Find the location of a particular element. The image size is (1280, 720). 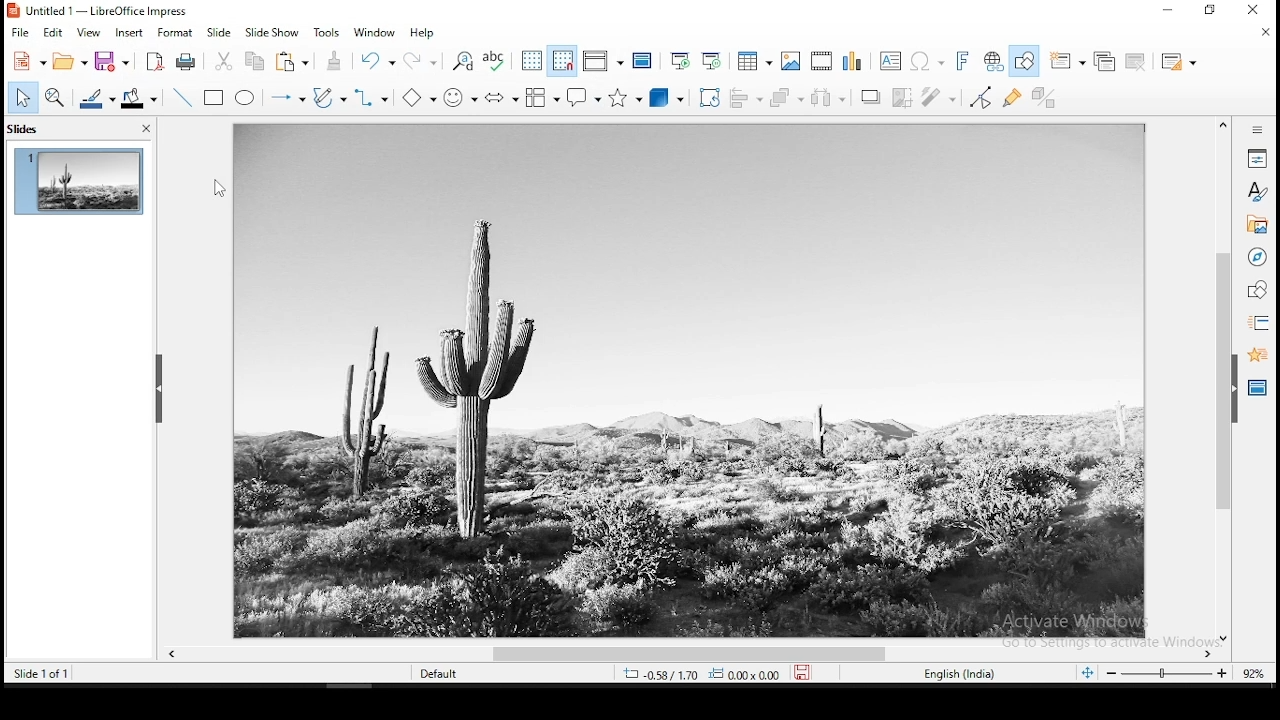

find and replace is located at coordinates (459, 61).